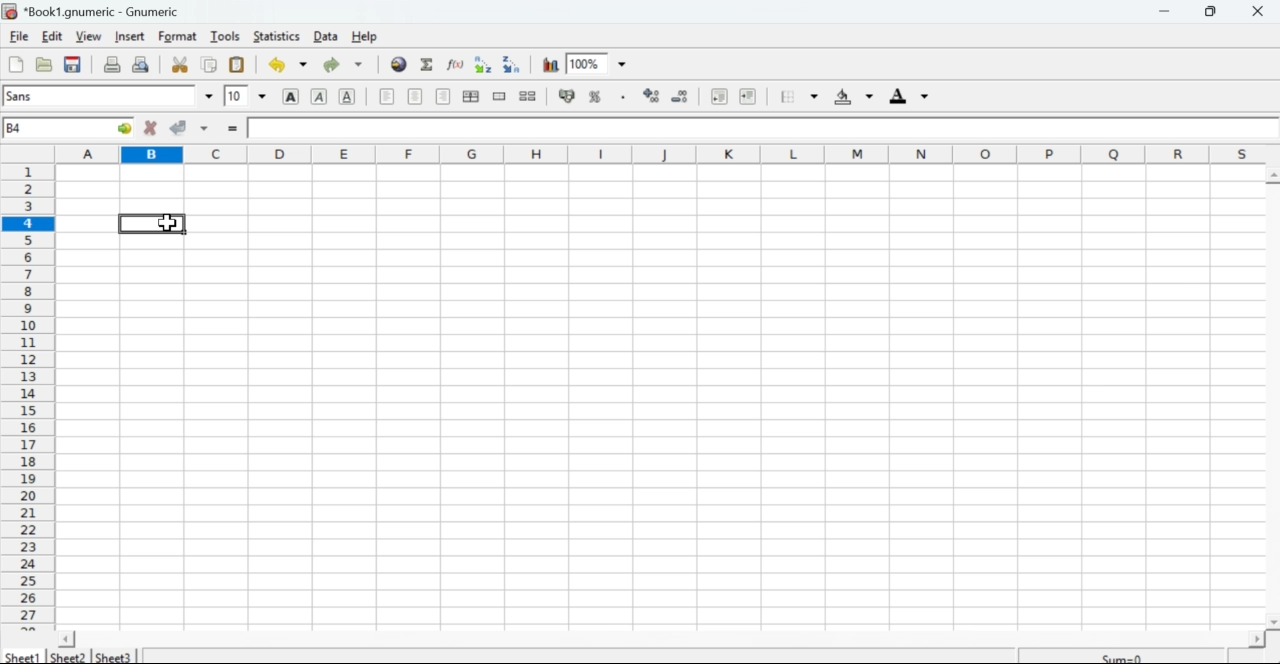 Image resolution: width=1280 pixels, height=664 pixels. What do you see at coordinates (131, 37) in the screenshot?
I see `Insert` at bounding box center [131, 37].